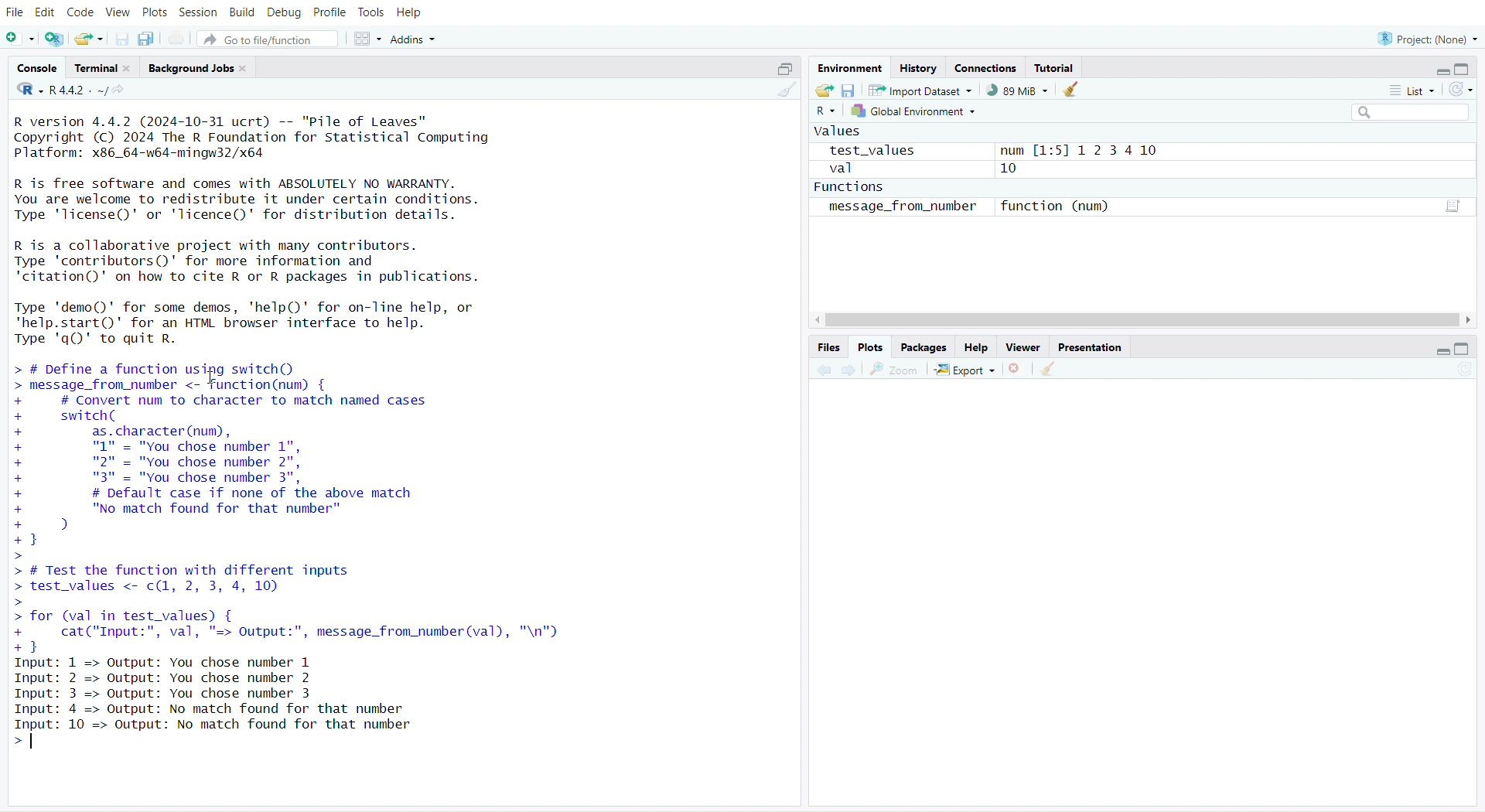 The width and height of the screenshot is (1485, 812). I want to click on Profile, so click(329, 13).